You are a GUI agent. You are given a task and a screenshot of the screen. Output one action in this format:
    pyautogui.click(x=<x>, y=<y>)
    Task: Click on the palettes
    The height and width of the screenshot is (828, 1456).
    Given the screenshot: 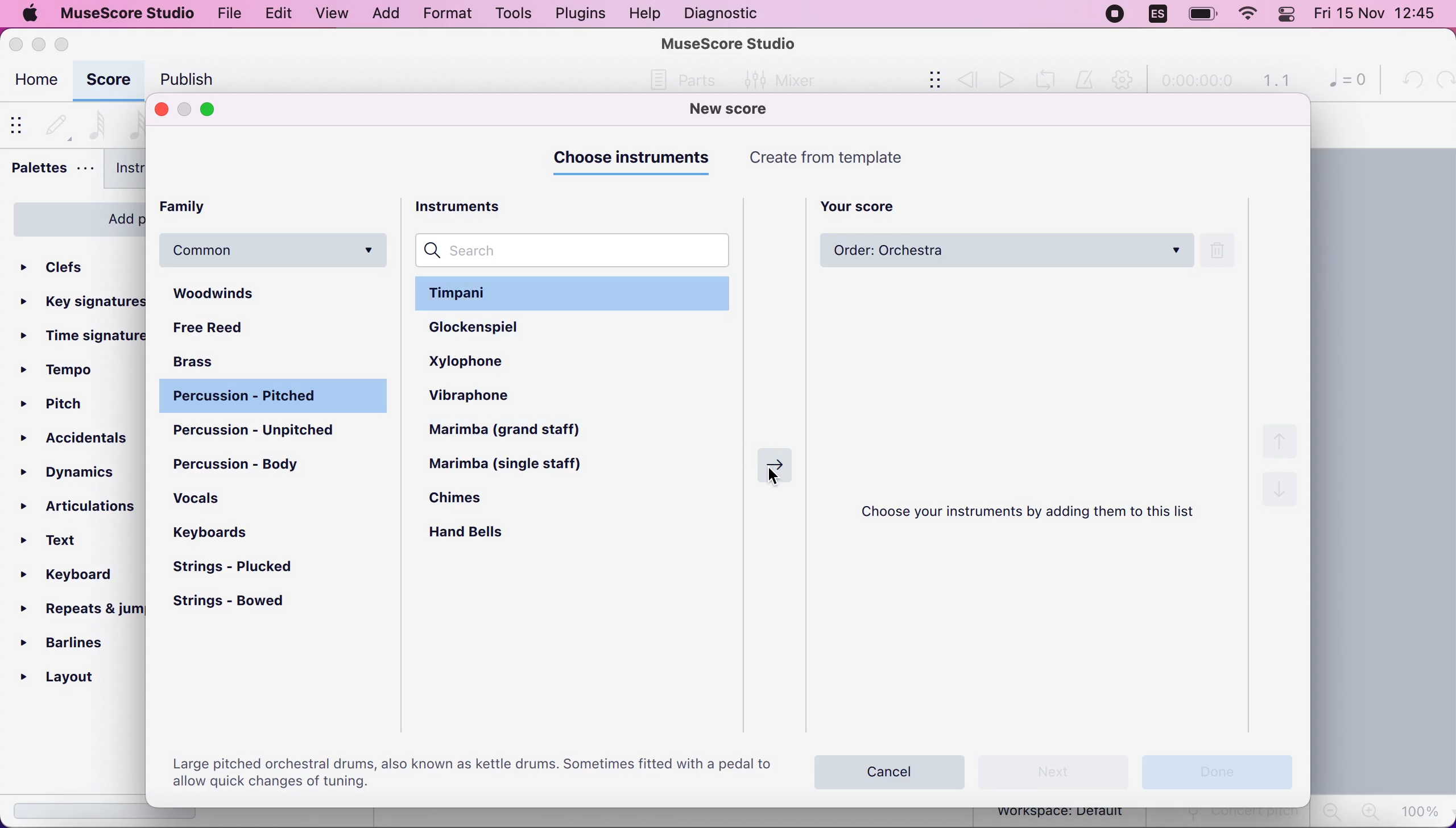 What is the action you would take?
    pyautogui.click(x=51, y=171)
    